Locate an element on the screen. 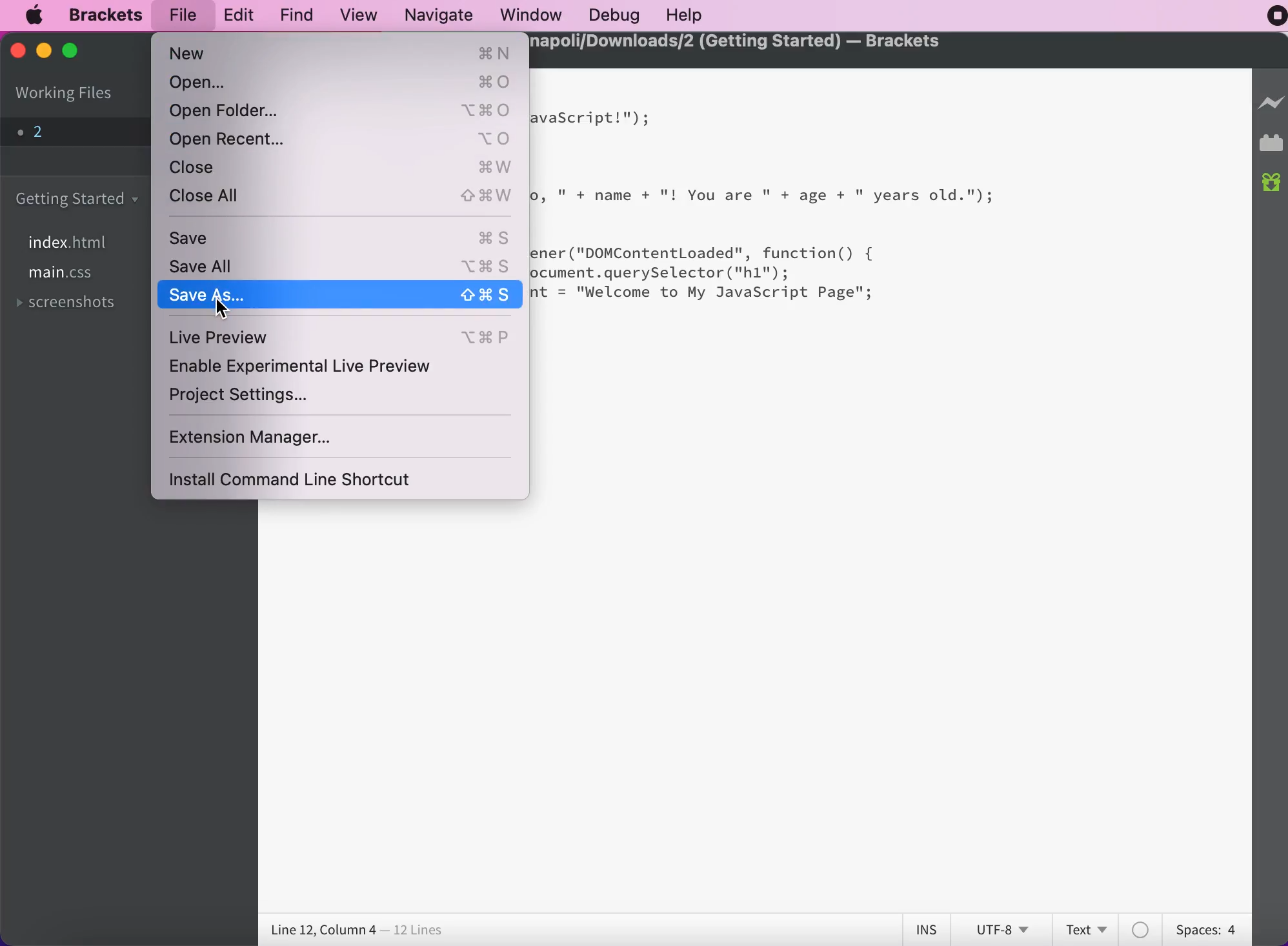  close is located at coordinates (17, 54).